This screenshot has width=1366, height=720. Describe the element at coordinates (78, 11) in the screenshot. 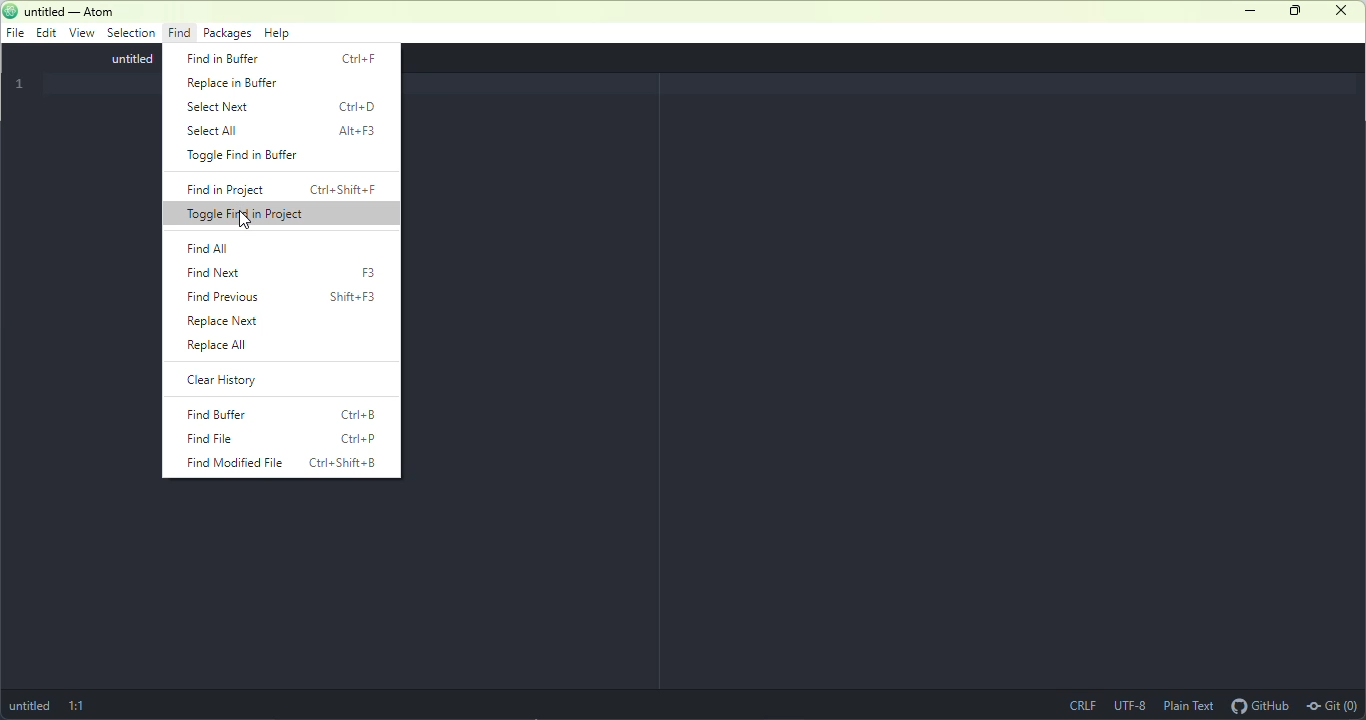

I see `untitled-atom` at that location.